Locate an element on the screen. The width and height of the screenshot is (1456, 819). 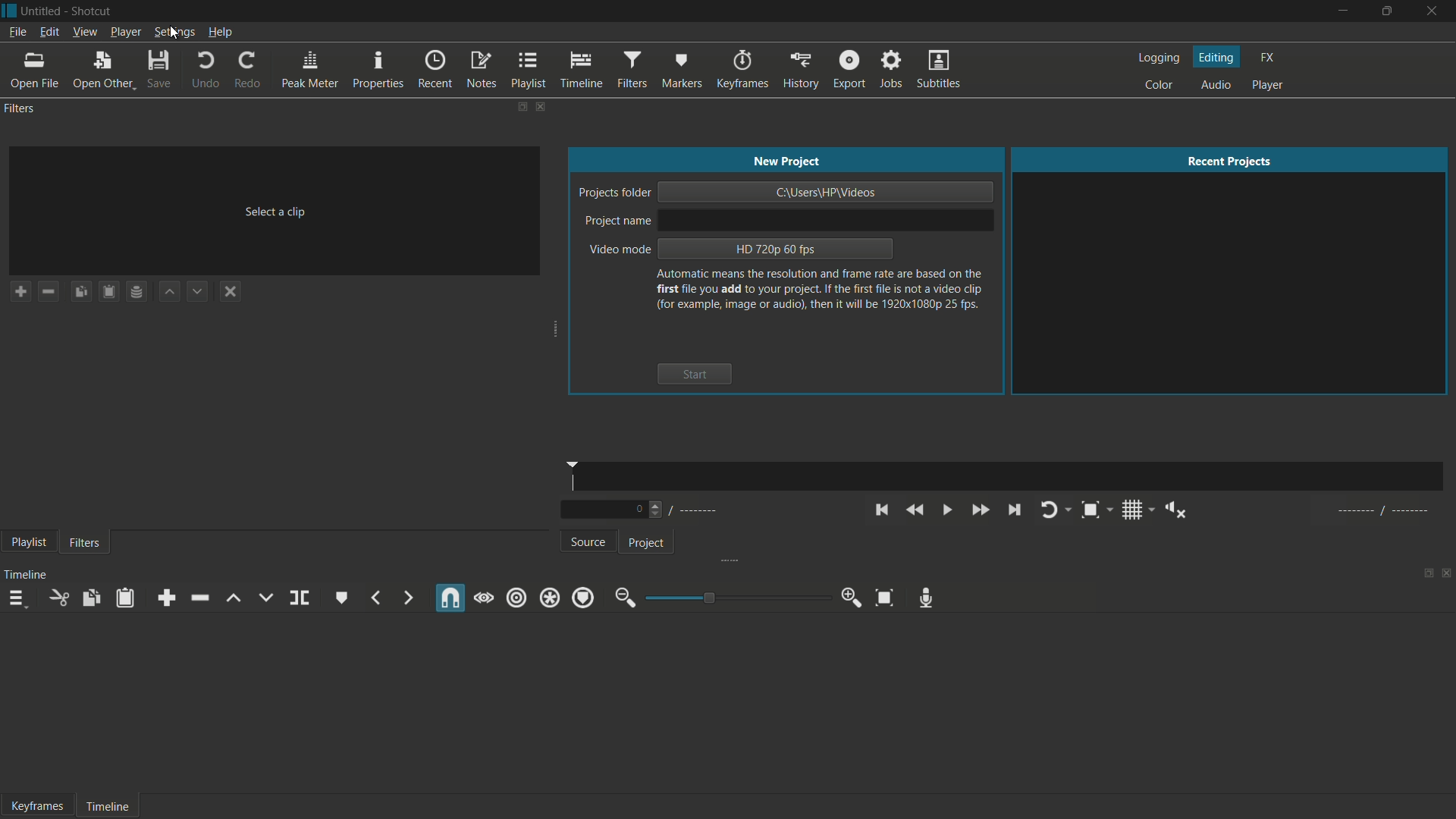
minimize is located at coordinates (1343, 11).